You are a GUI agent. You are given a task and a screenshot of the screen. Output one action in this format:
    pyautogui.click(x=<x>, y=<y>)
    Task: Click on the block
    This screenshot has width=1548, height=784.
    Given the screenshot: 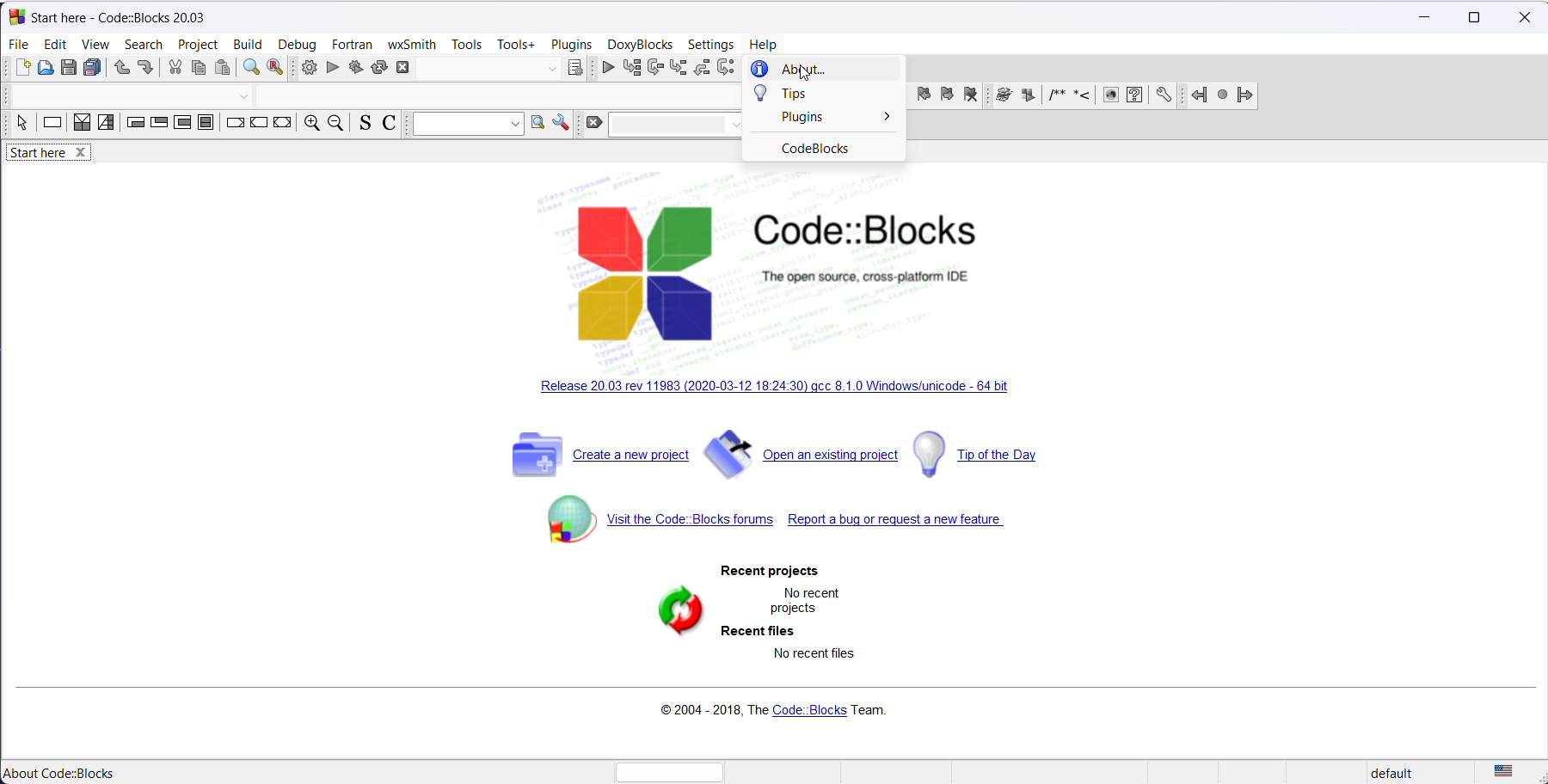 What is the action you would take?
    pyautogui.click(x=1002, y=96)
    